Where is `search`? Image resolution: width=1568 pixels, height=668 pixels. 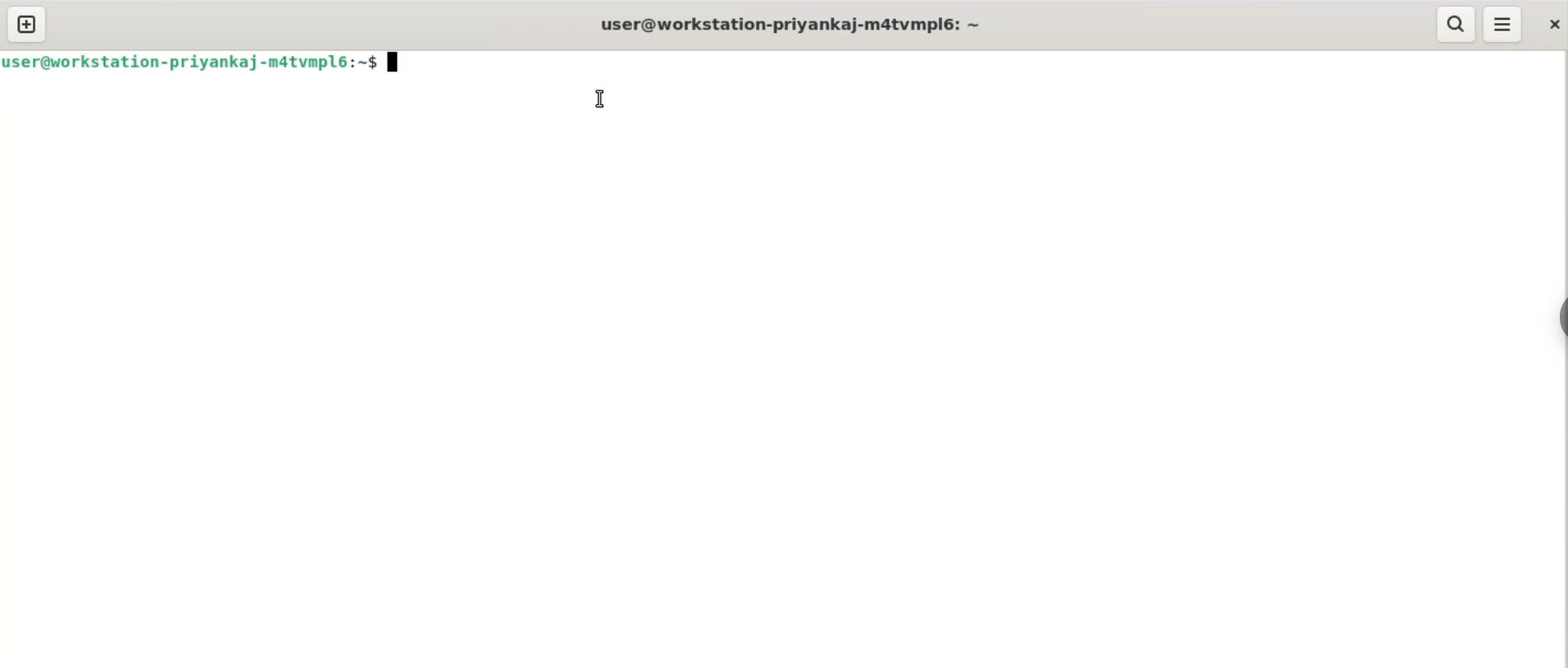
search is located at coordinates (1458, 25).